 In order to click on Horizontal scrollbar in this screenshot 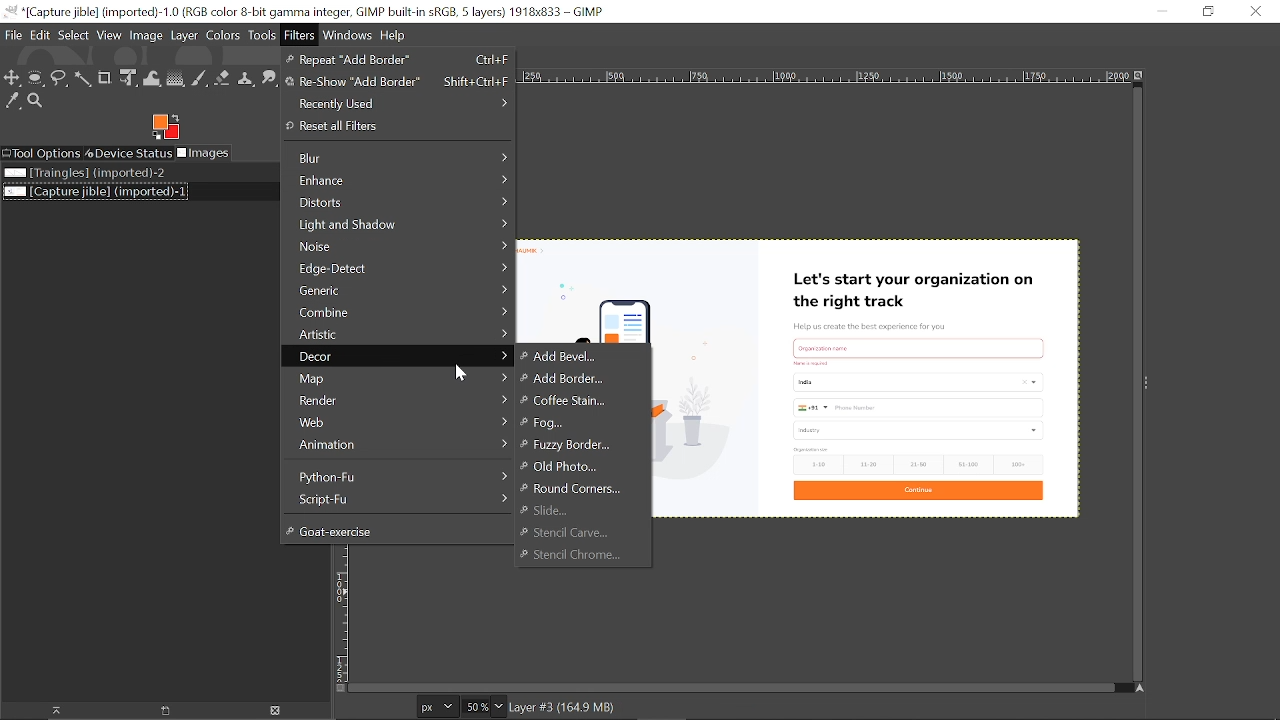, I will do `click(736, 689)`.